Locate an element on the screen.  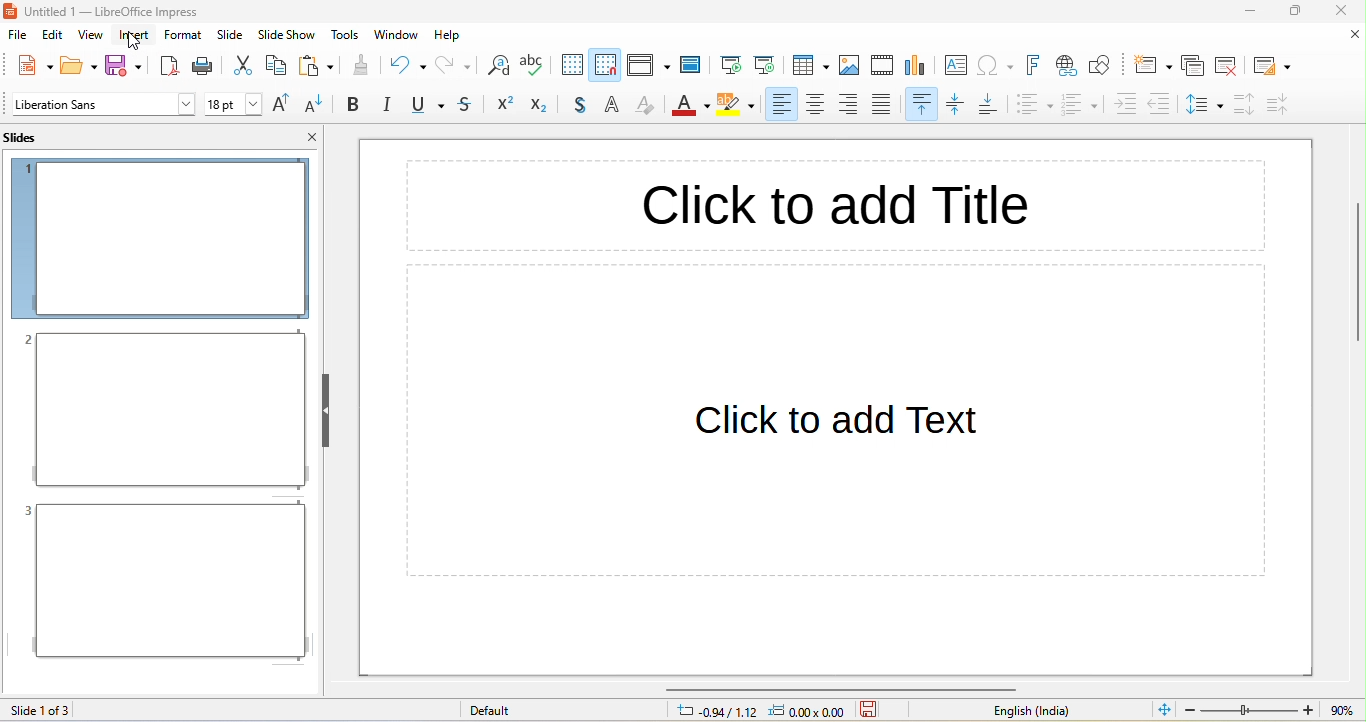
fontwork text is located at coordinates (1037, 65).